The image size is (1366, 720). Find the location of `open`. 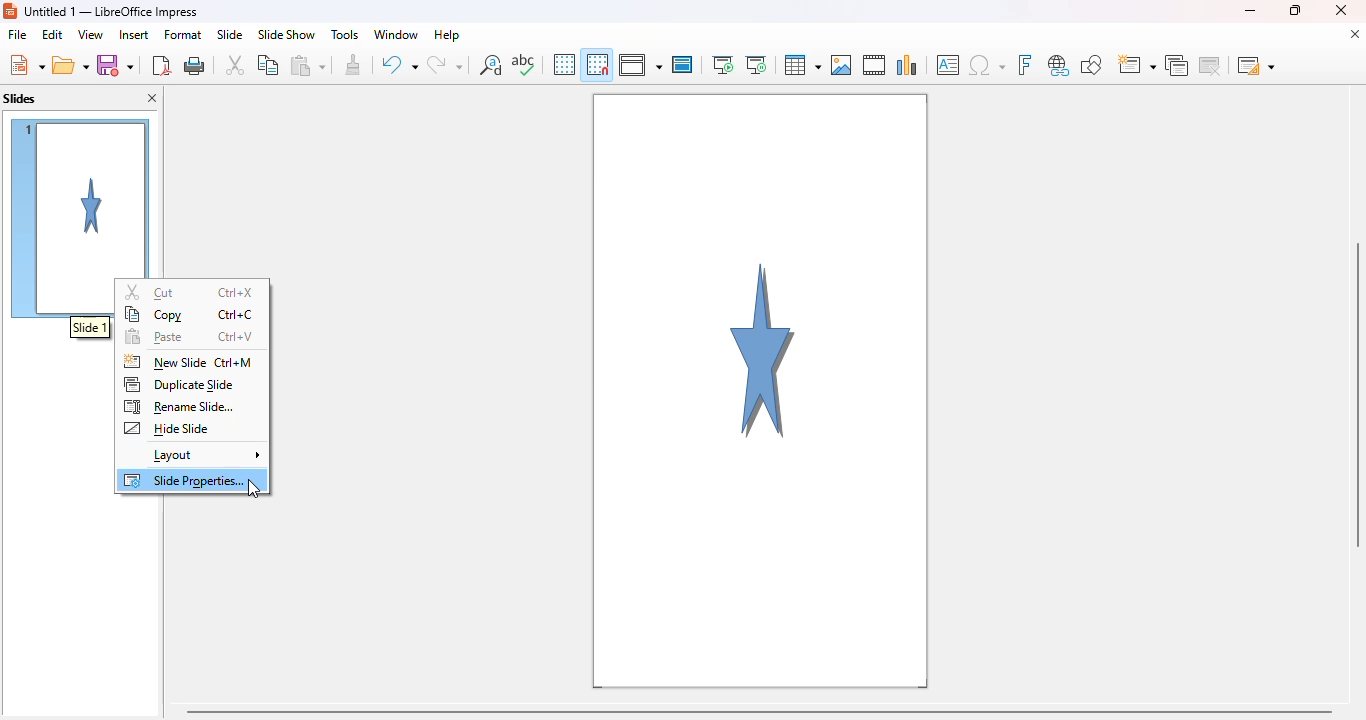

open is located at coordinates (70, 65).